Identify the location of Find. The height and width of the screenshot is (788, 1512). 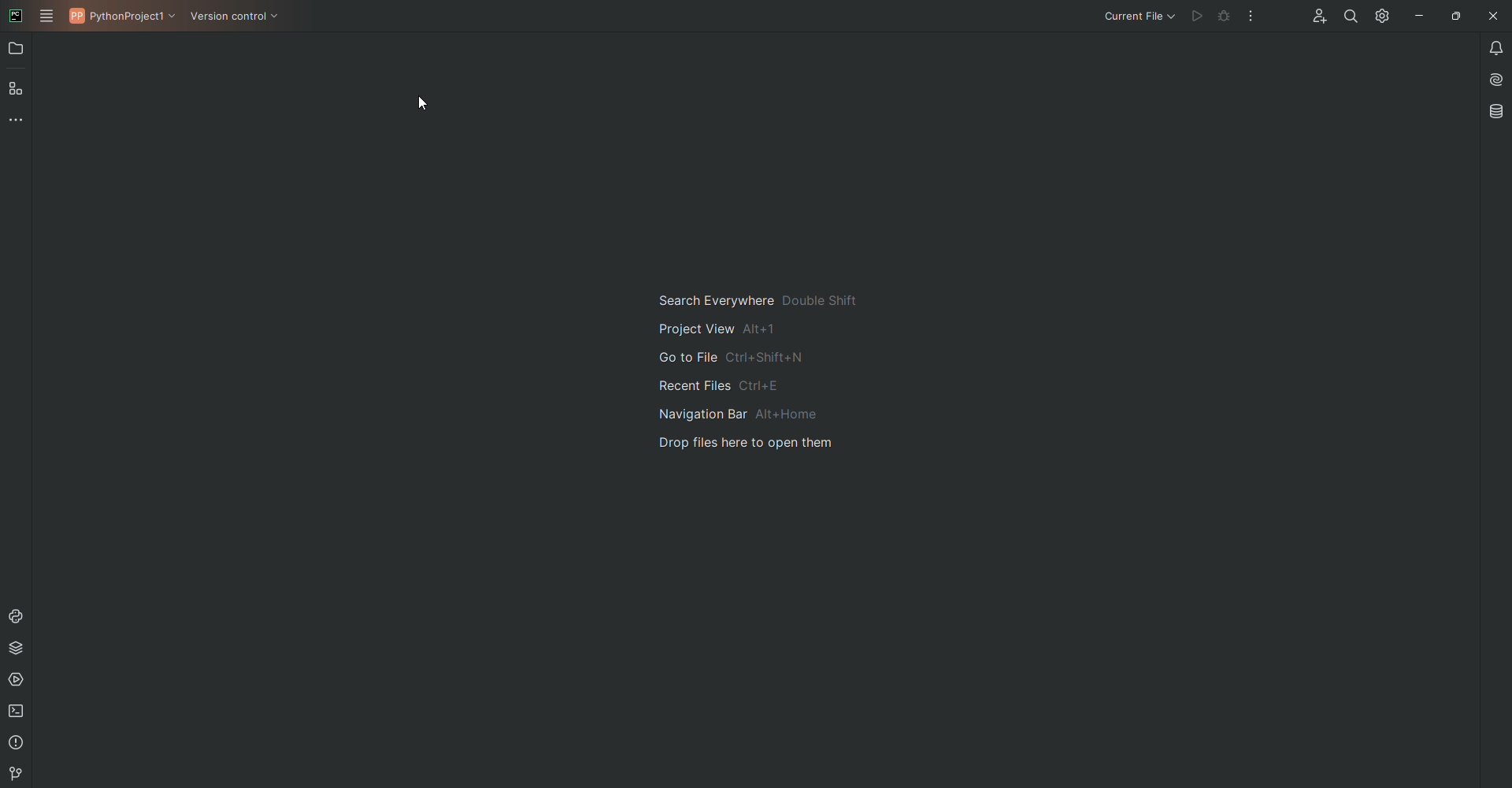
(1346, 17).